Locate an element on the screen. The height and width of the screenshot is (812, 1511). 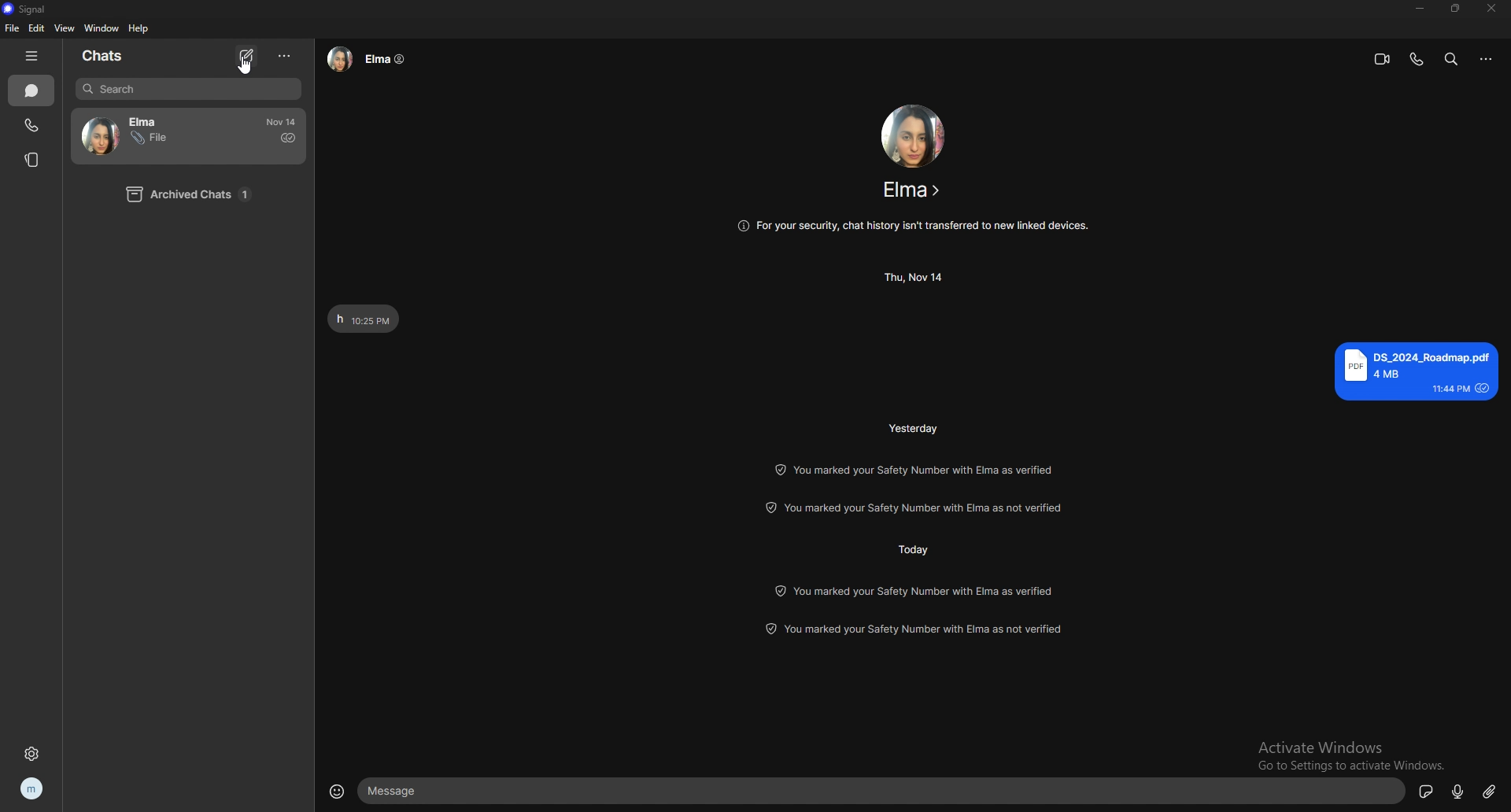
update is located at coordinates (922, 507).